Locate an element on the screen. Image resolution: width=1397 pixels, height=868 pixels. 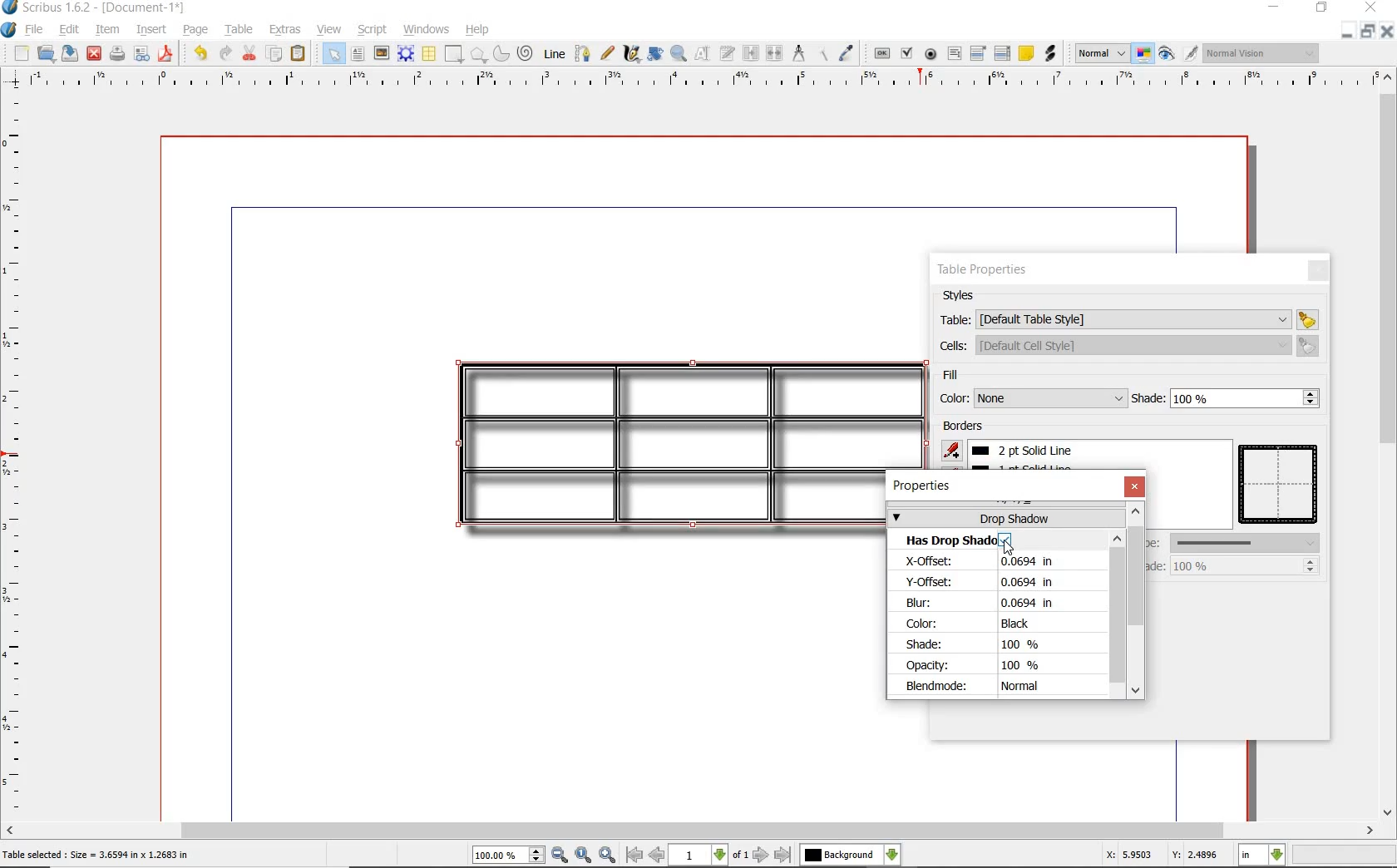
select current zoom level is located at coordinates (509, 856).